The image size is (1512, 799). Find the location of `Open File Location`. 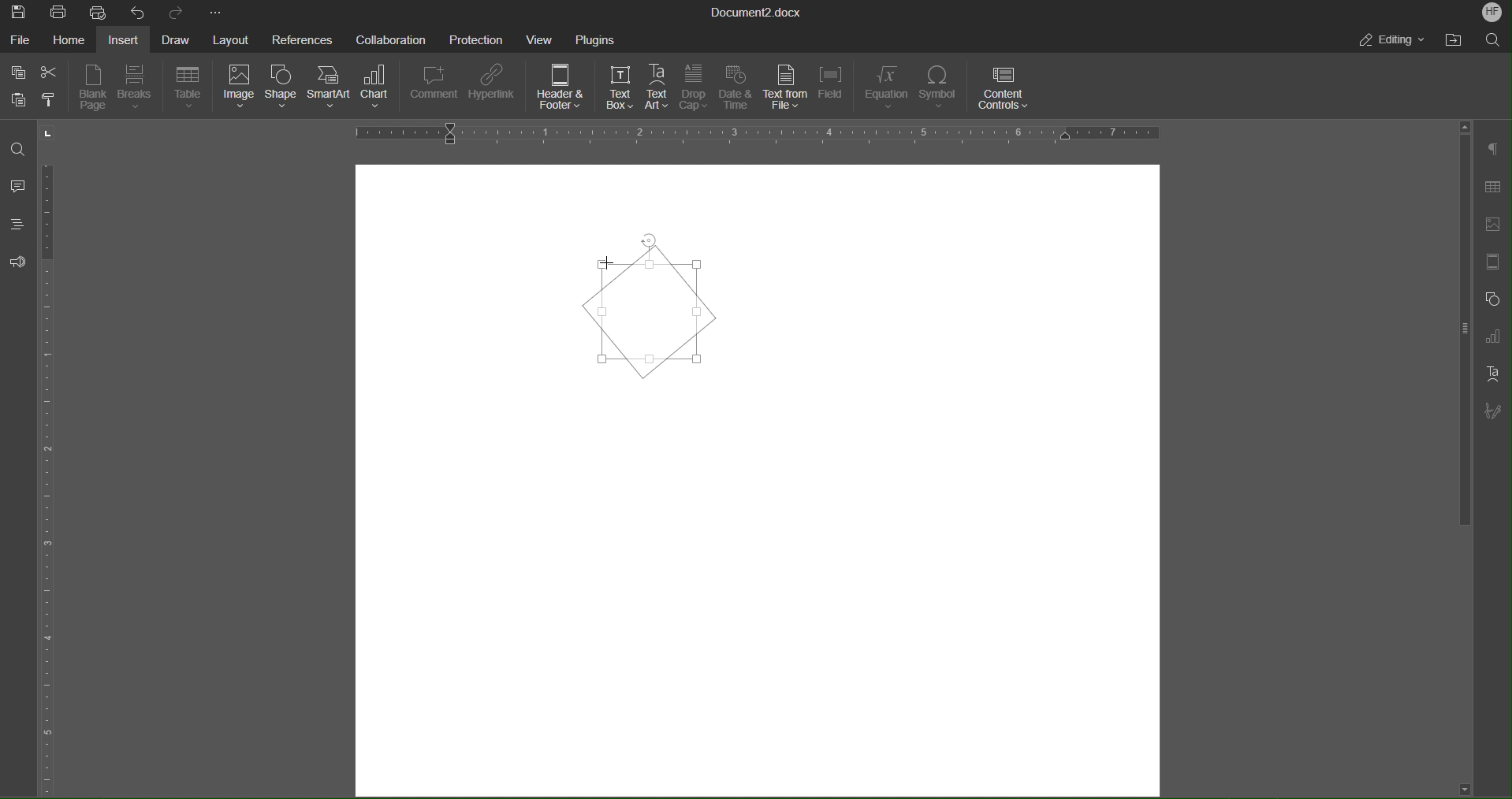

Open File Location is located at coordinates (1456, 39).